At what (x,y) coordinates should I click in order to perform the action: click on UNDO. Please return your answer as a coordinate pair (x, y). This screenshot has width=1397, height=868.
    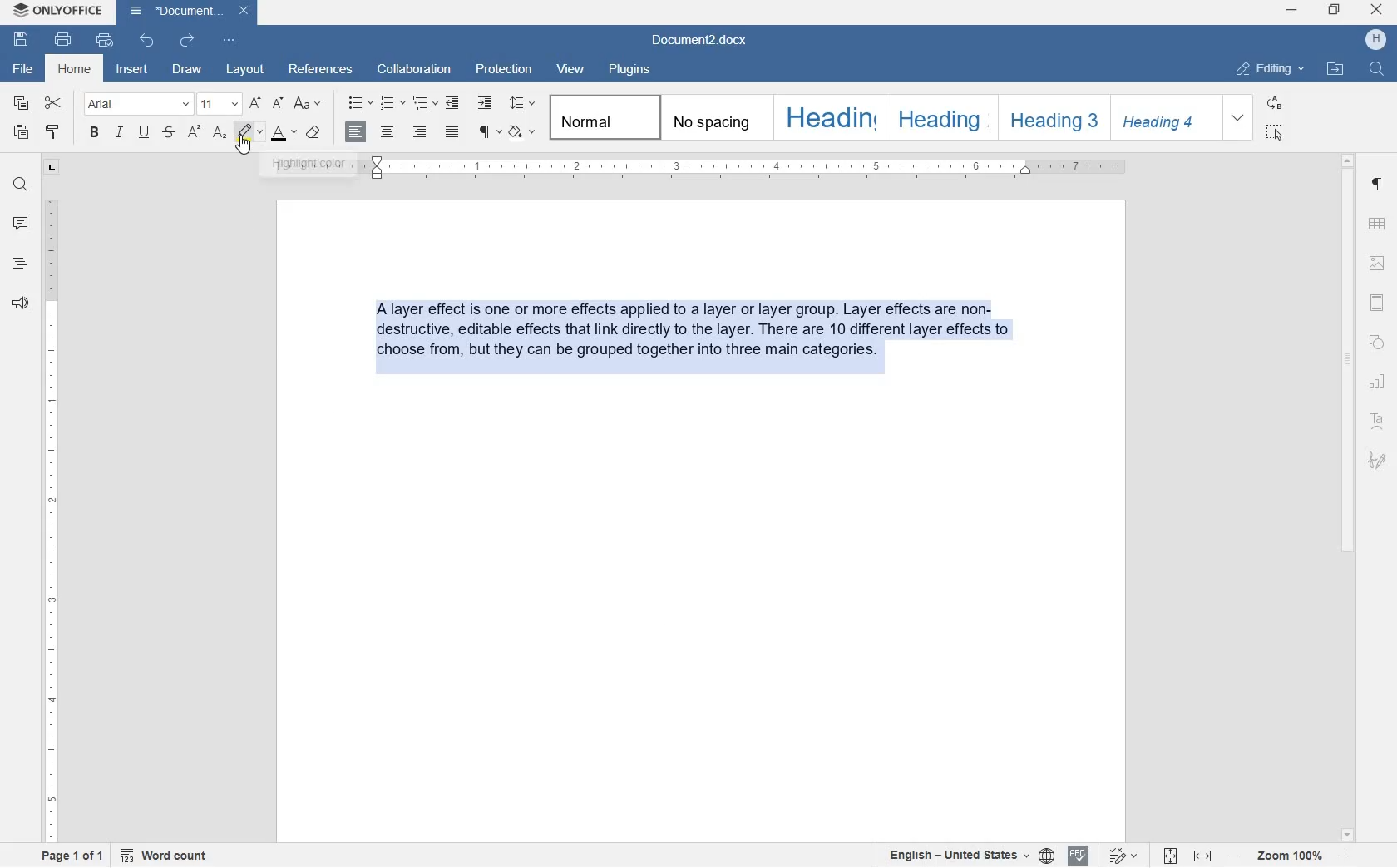
    Looking at the image, I should click on (148, 42).